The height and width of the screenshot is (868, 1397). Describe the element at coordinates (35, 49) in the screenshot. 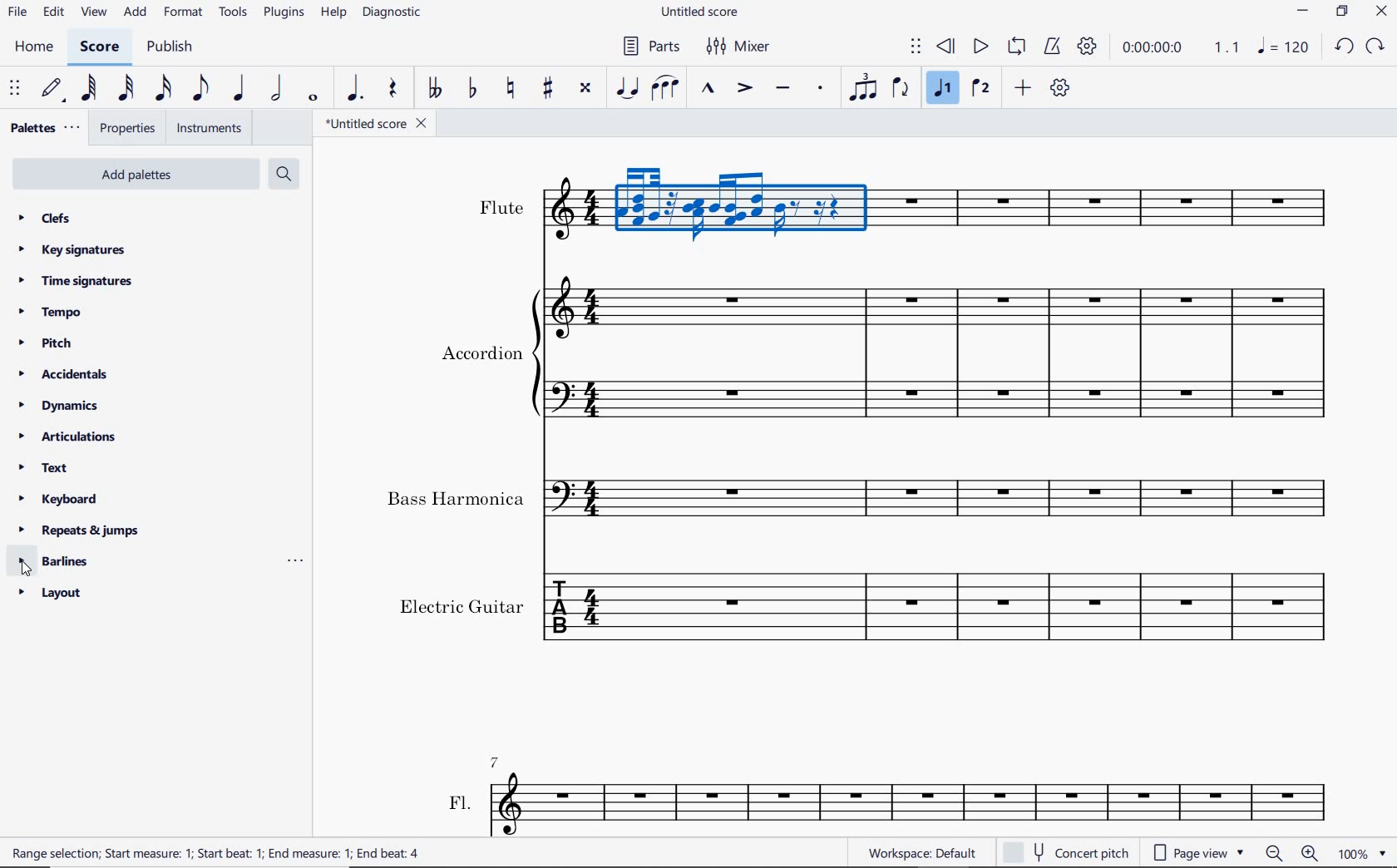

I see `HOME` at that location.